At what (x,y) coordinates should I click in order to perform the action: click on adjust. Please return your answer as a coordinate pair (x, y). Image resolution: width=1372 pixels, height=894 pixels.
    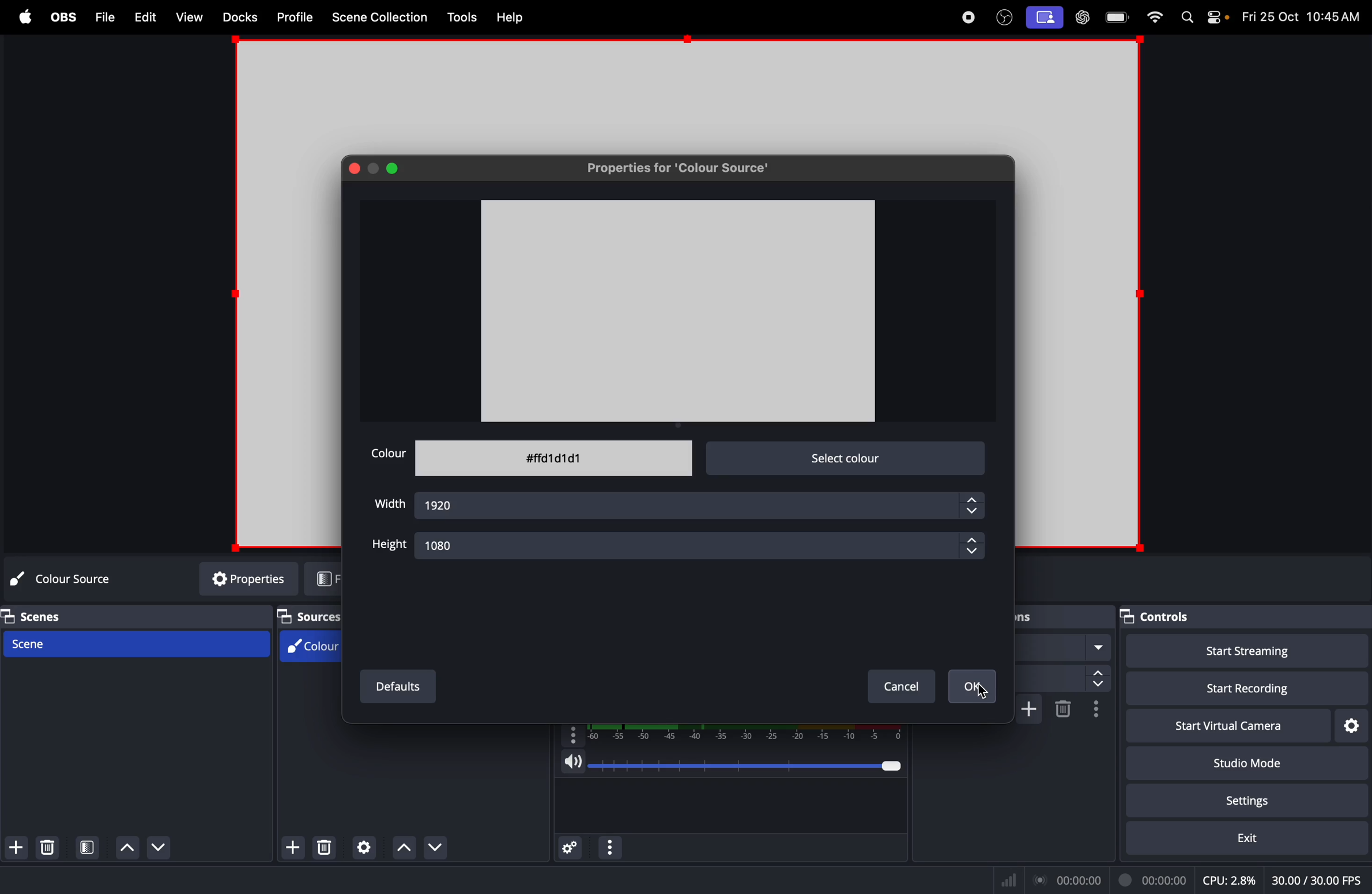
    Looking at the image, I should click on (974, 548).